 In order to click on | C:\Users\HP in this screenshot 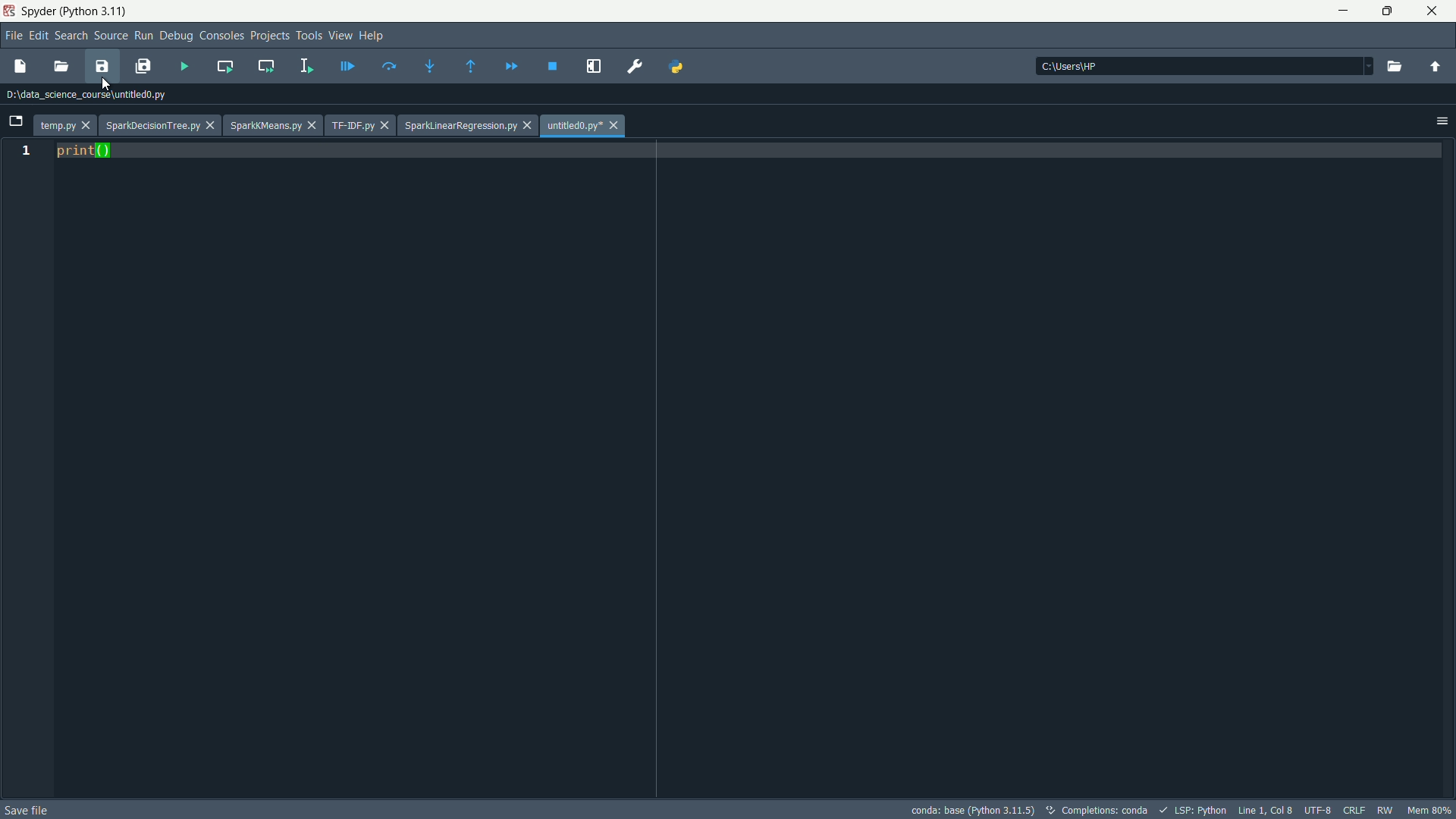, I will do `click(1208, 67)`.